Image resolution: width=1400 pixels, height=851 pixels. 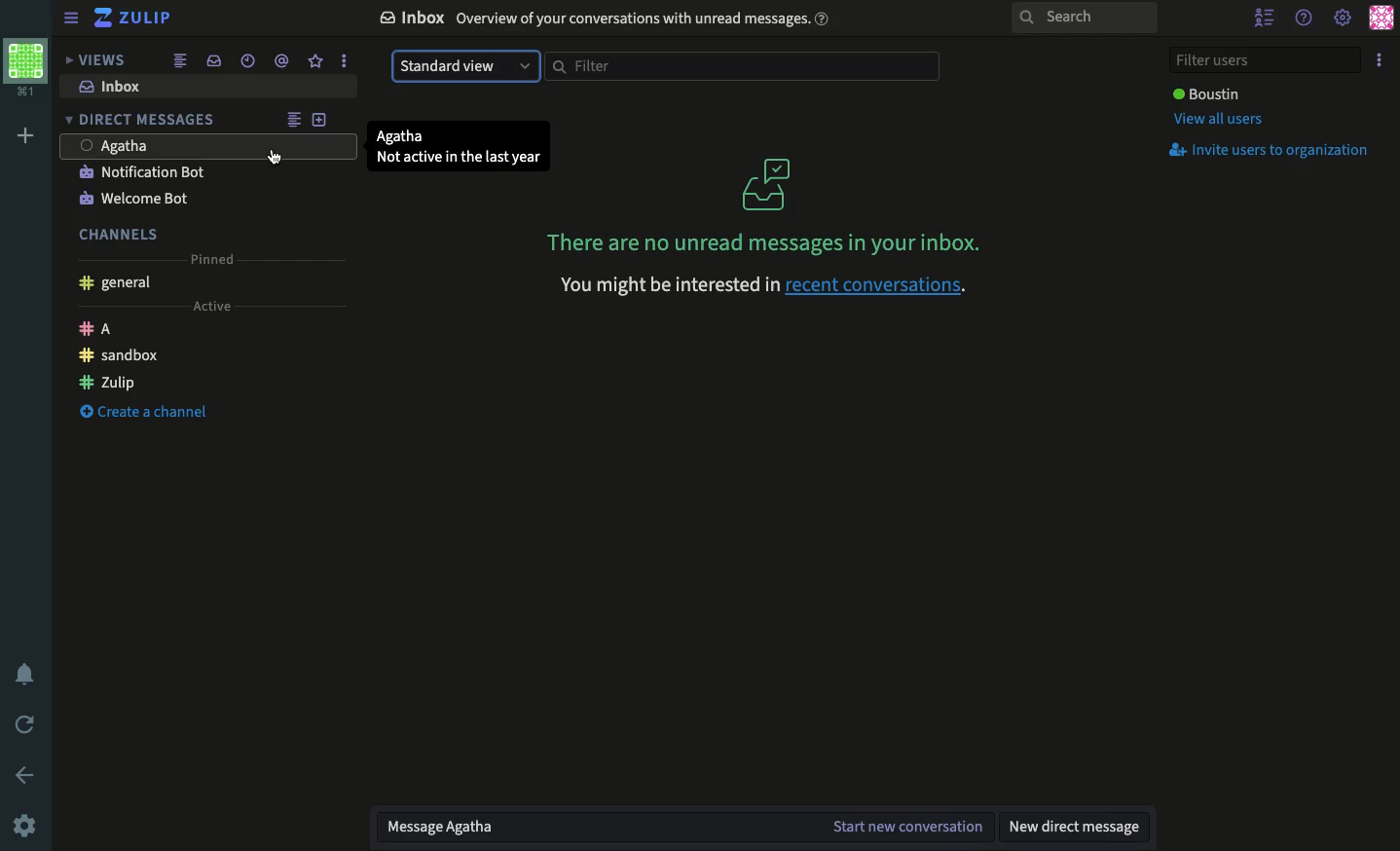 I want to click on Inbox, so click(x=113, y=86).